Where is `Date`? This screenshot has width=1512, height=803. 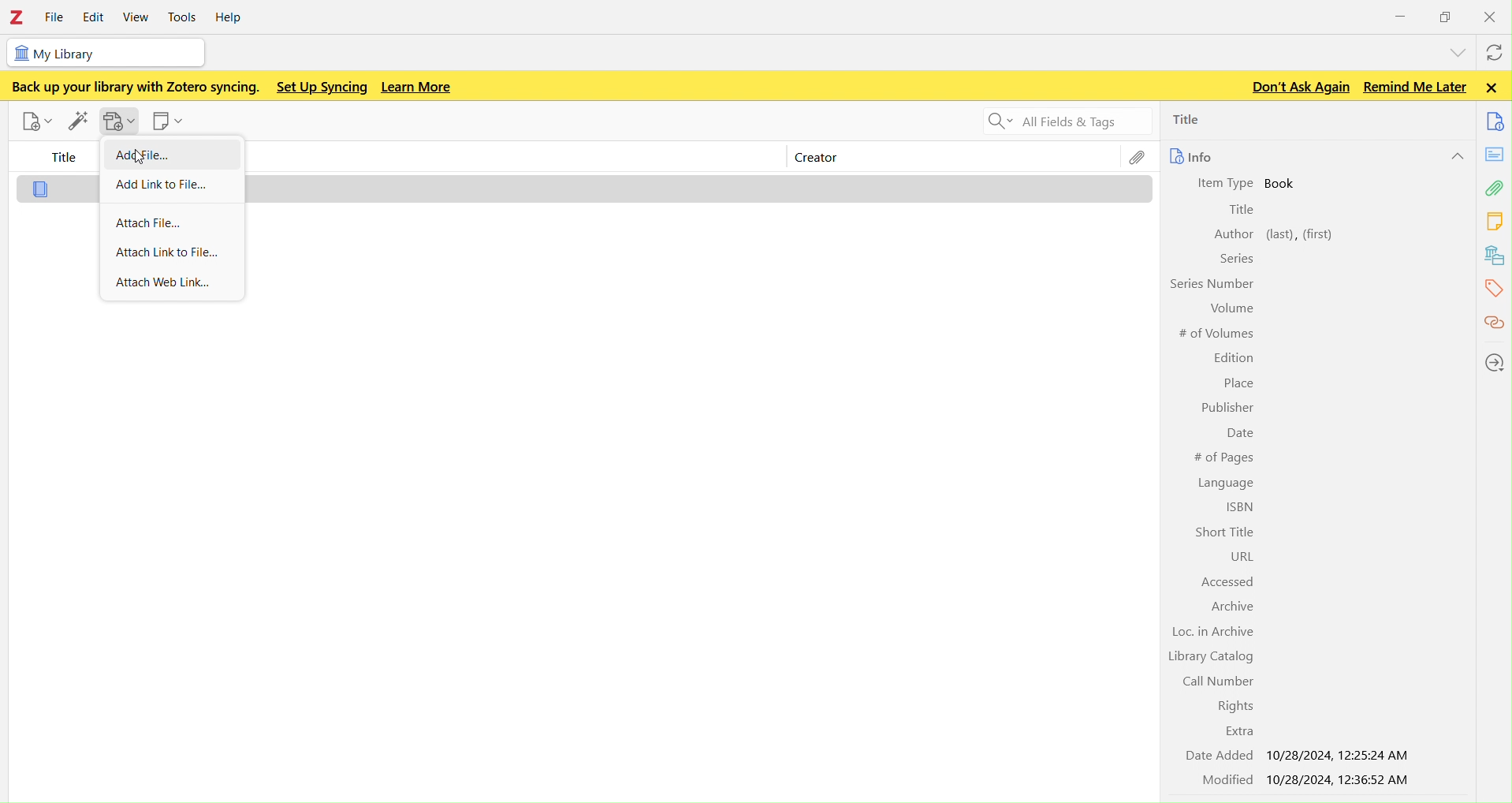
Date is located at coordinates (1236, 431).